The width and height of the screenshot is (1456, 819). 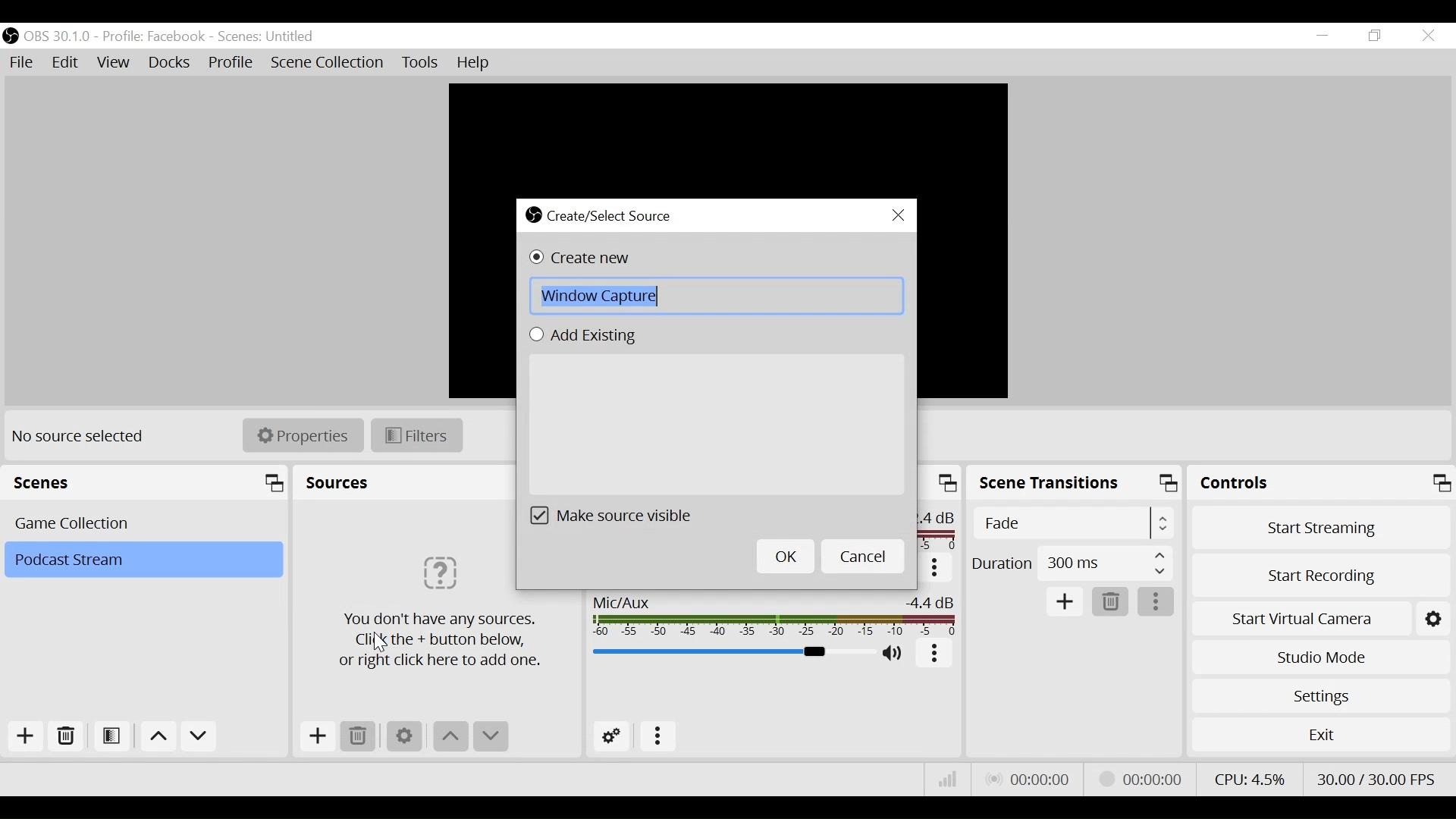 What do you see at coordinates (1320, 696) in the screenshot?
I see `Settings` at bounding box center [1320, 696].